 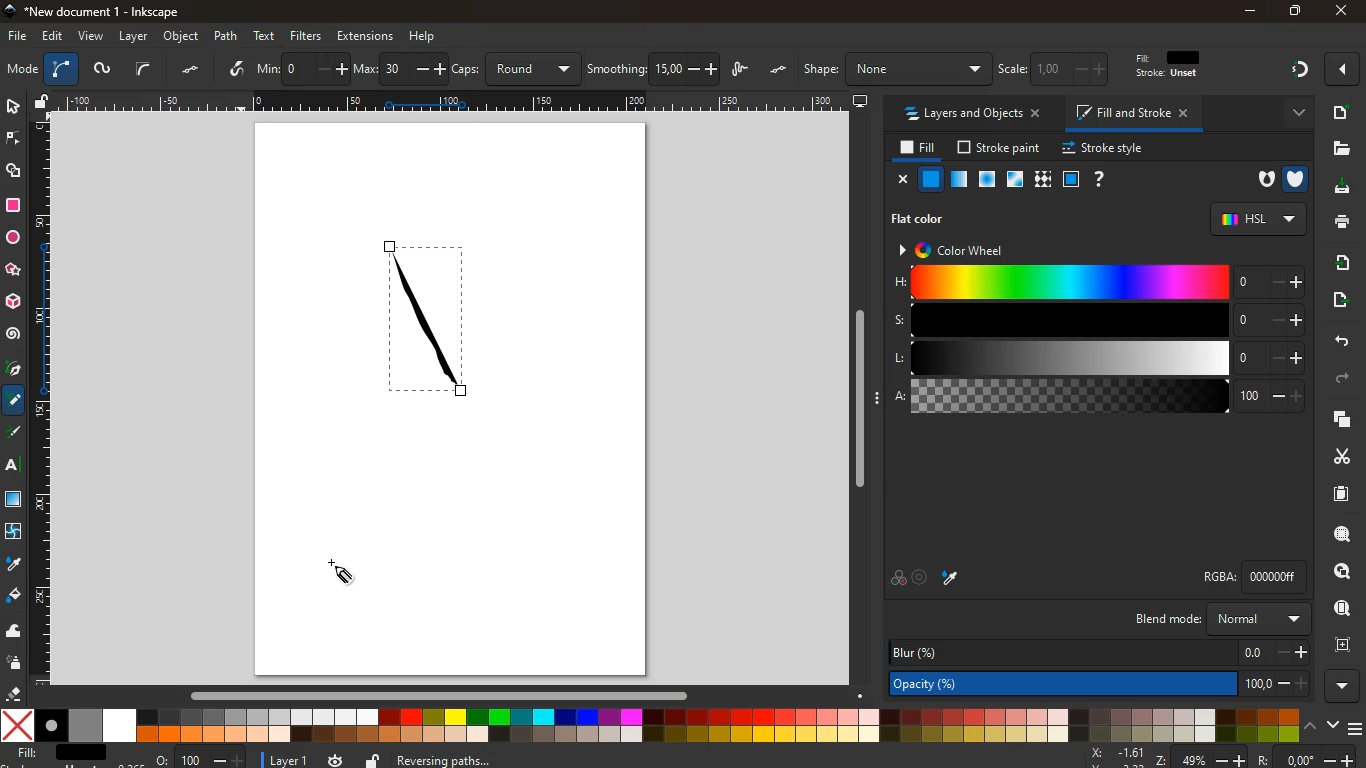 What do you see at coordinates (780, 70) in the screenshot?
I see `dots` at bounding box center [780, 70].